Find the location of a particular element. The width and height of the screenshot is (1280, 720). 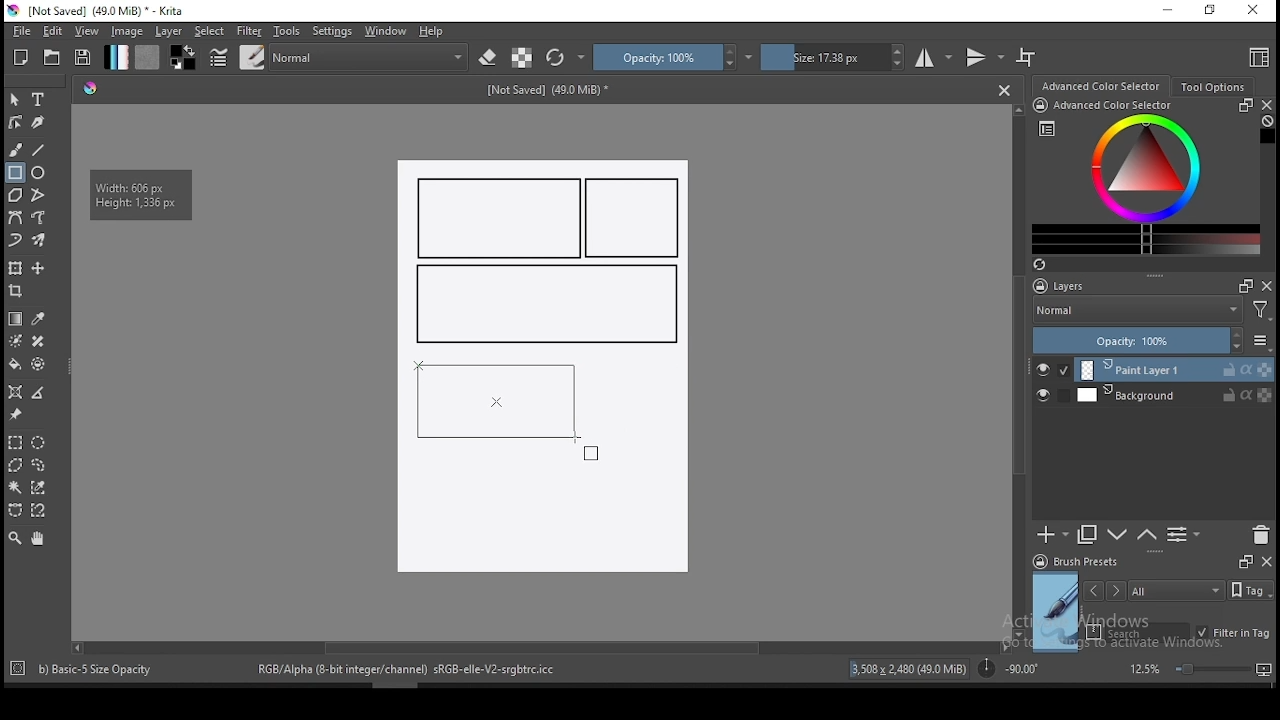

magnetic curve selection tool is located at coordinates (36, 510).